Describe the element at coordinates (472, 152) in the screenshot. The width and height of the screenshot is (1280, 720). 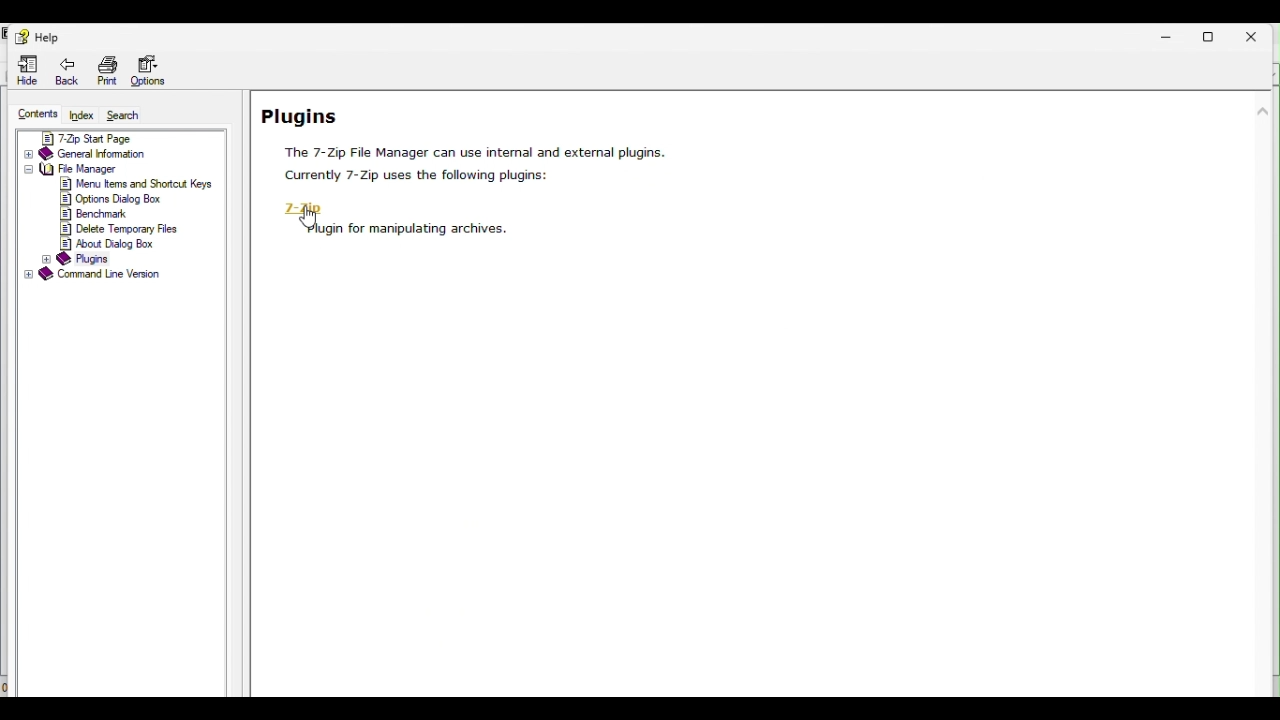
I see `text` at that location.